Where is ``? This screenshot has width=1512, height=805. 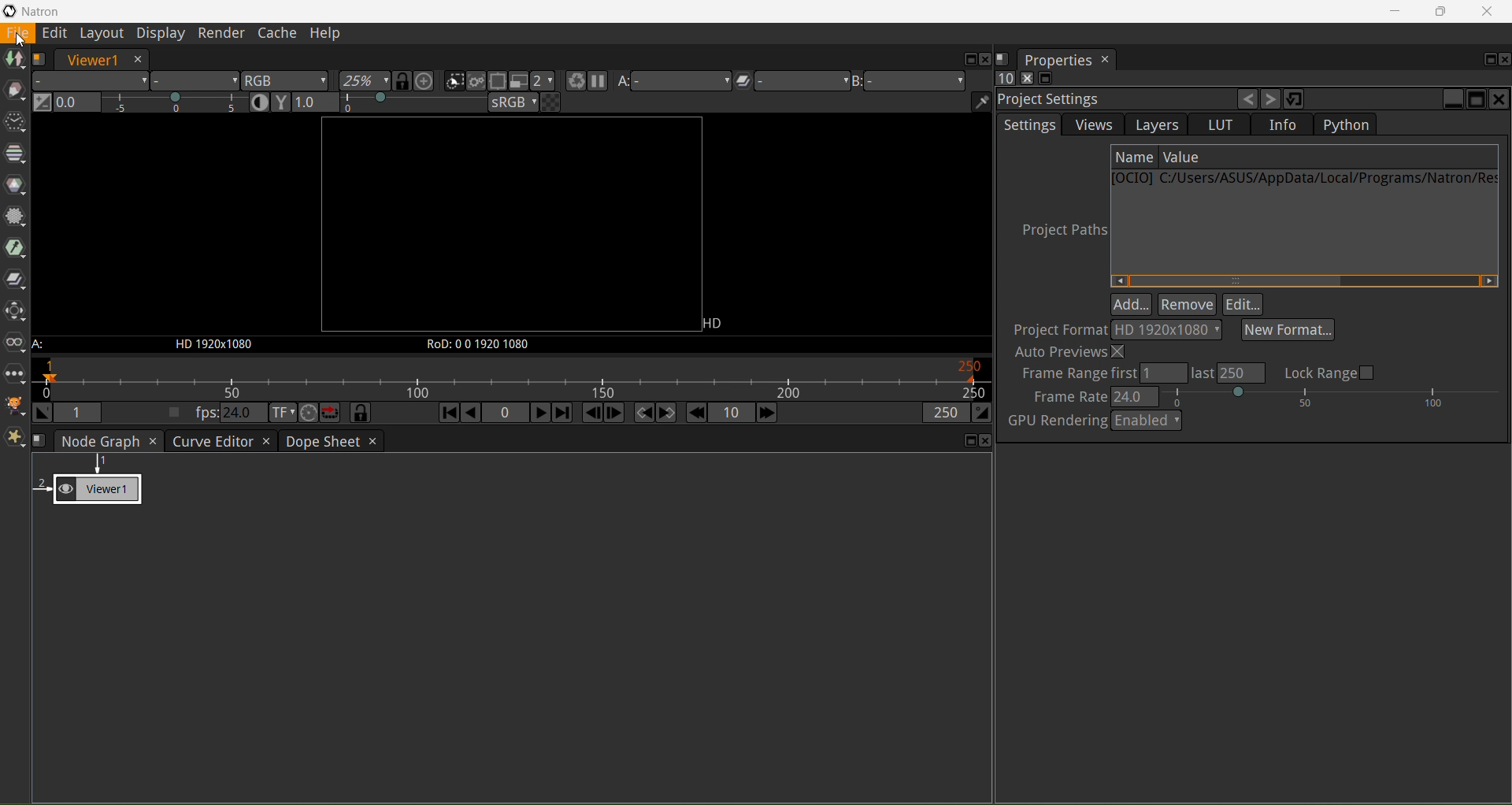  is located at coordinates (1093, 124).